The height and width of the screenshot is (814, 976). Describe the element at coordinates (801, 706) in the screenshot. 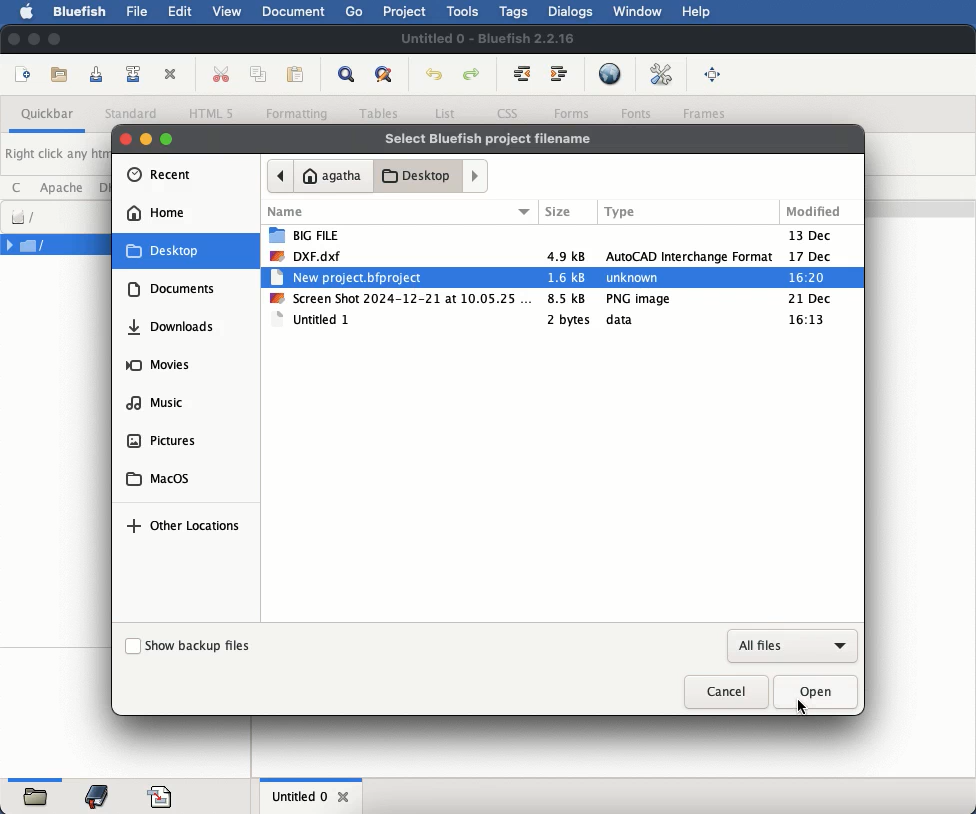

I see `click` at that location.